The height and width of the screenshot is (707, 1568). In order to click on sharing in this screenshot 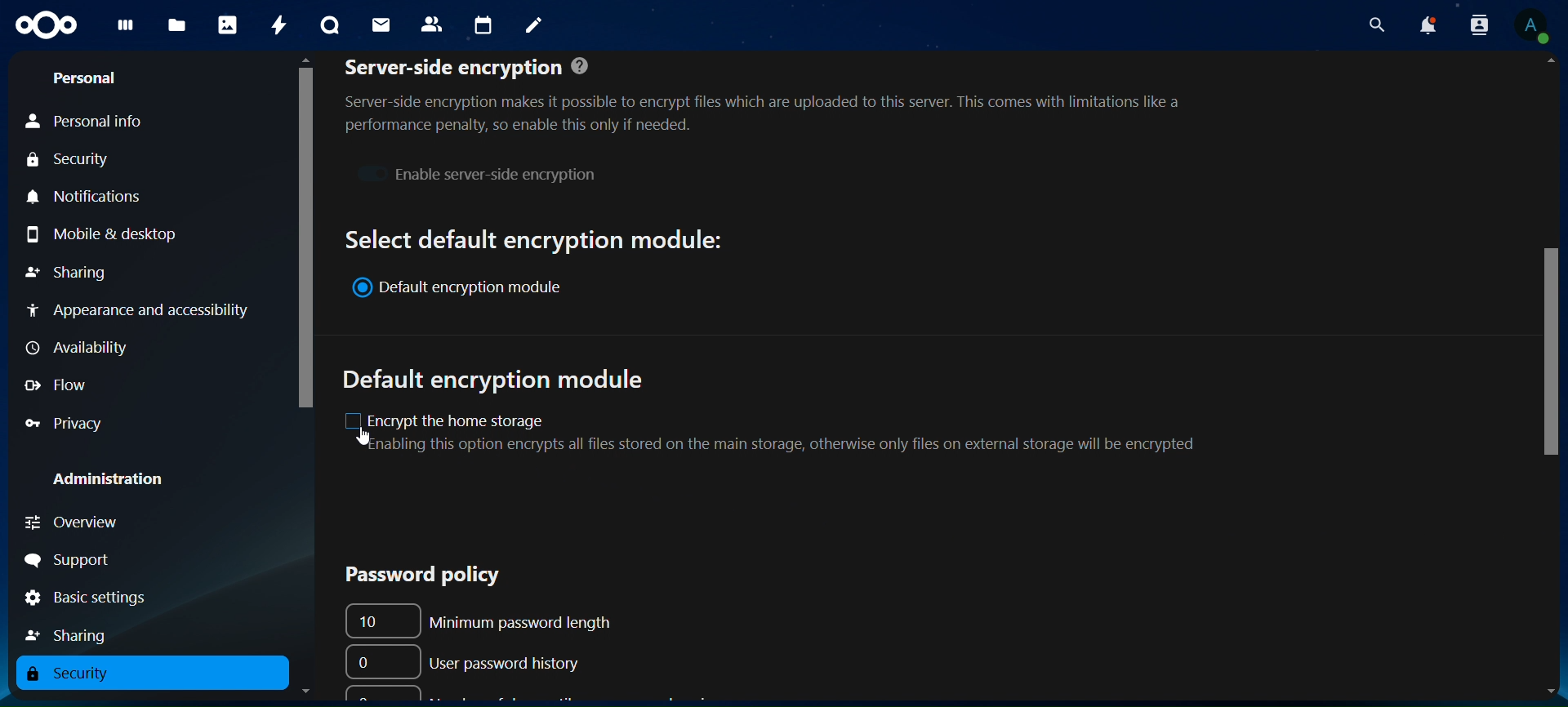, I will do `click(69, 269)`.